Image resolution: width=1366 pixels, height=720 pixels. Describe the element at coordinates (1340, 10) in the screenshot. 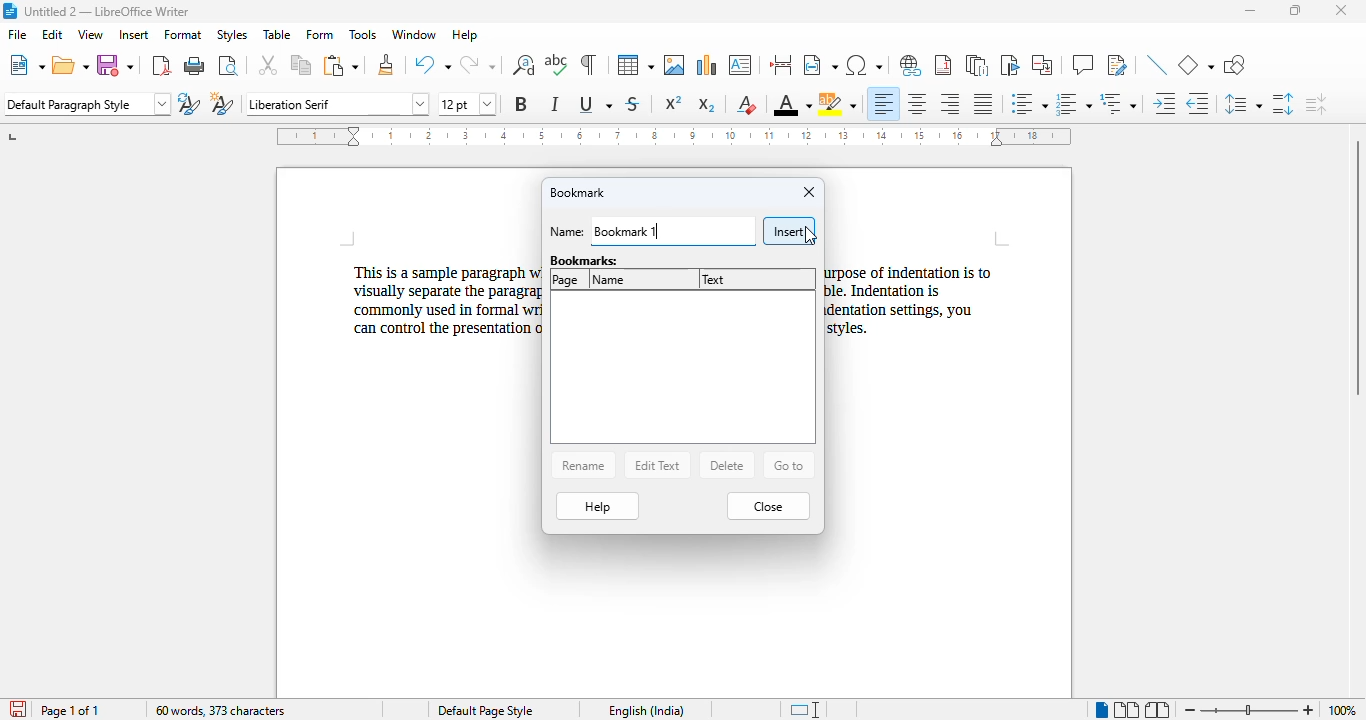

I see `close` at that location.